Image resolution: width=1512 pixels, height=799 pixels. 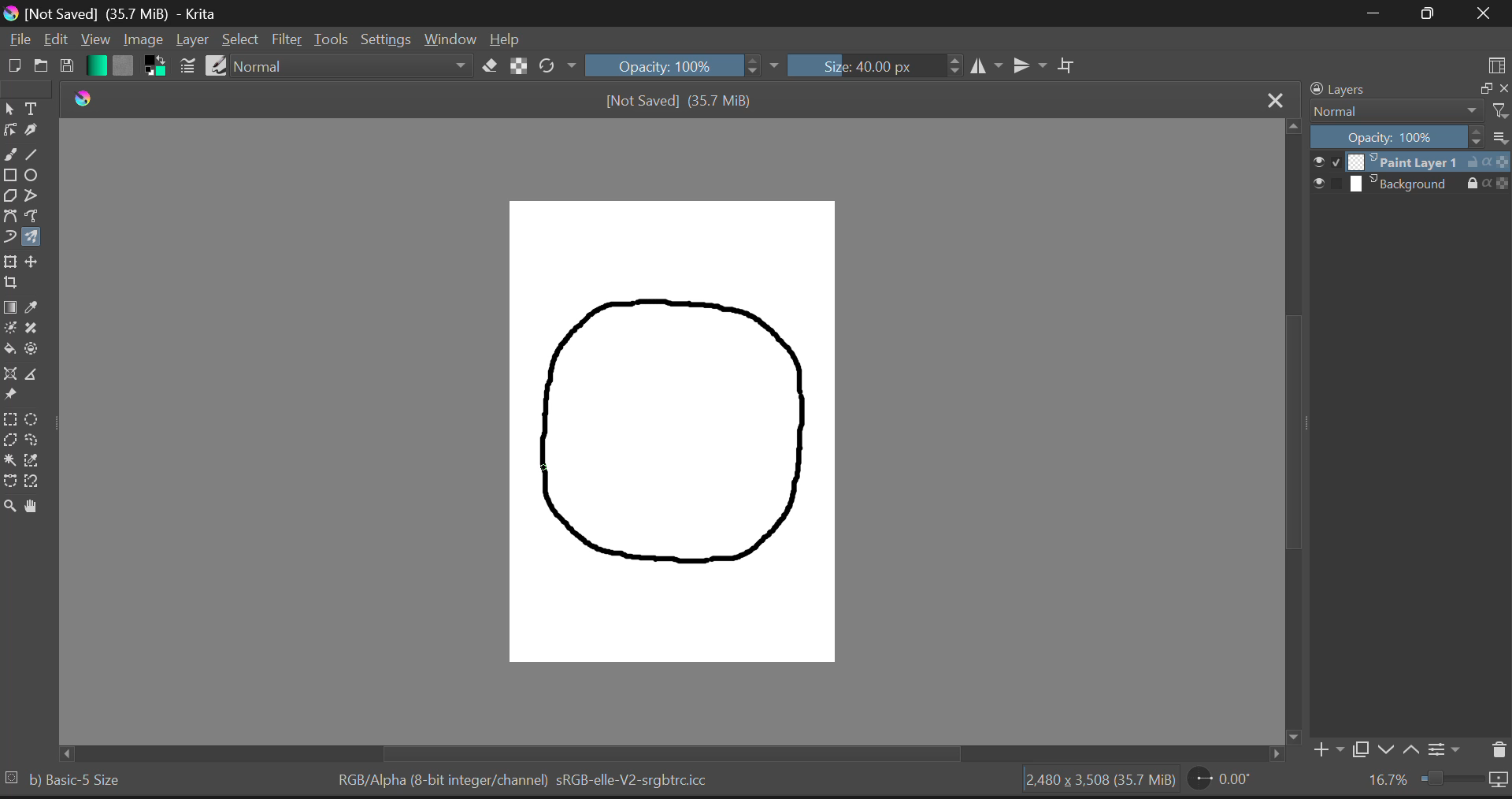 What do you see at coordinates (1275, 754) in the screenshot?
I see `` at bounding box center [1275, 754].